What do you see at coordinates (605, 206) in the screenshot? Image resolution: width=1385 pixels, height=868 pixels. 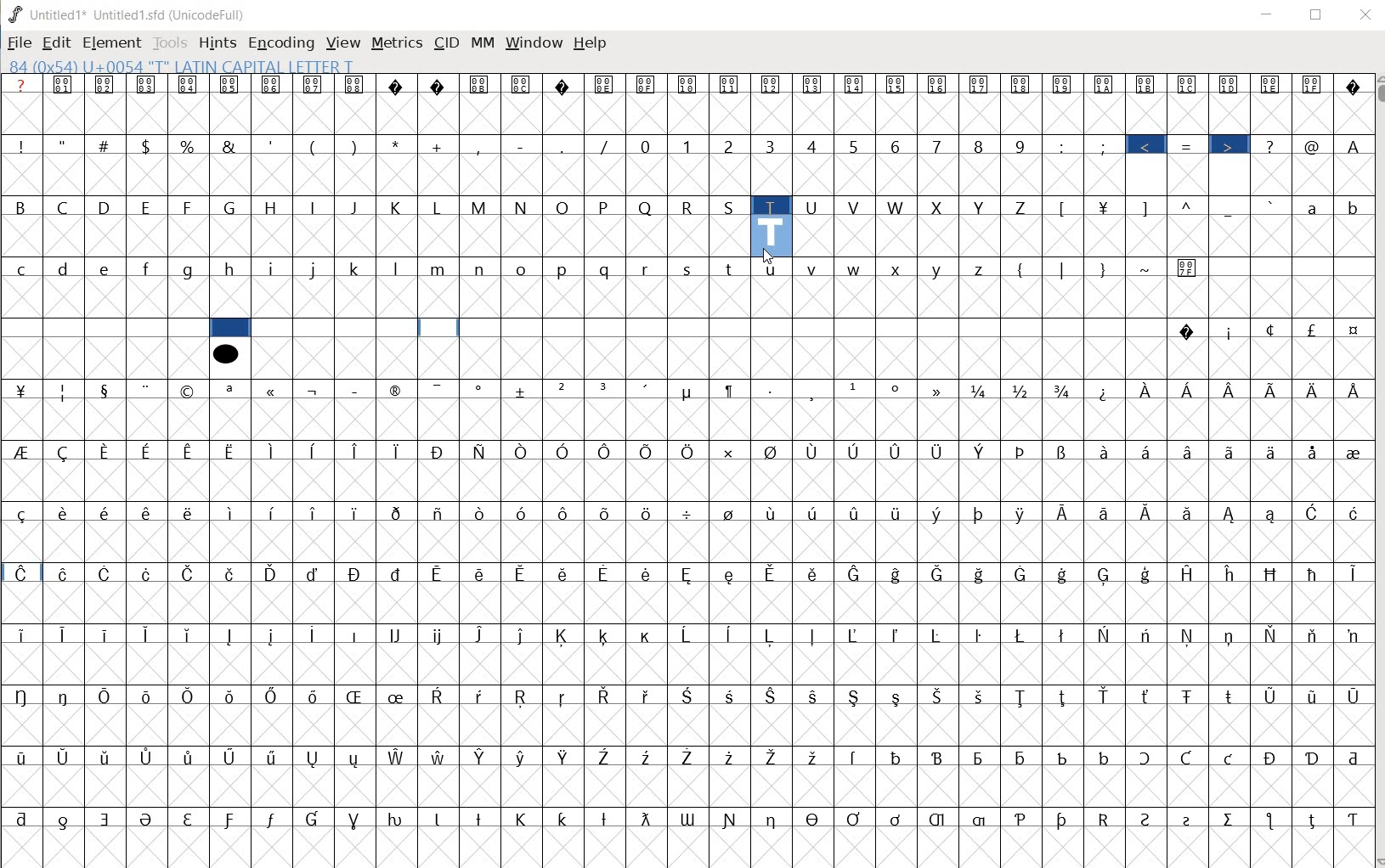 I see `P` at bounding box center [605, 206].